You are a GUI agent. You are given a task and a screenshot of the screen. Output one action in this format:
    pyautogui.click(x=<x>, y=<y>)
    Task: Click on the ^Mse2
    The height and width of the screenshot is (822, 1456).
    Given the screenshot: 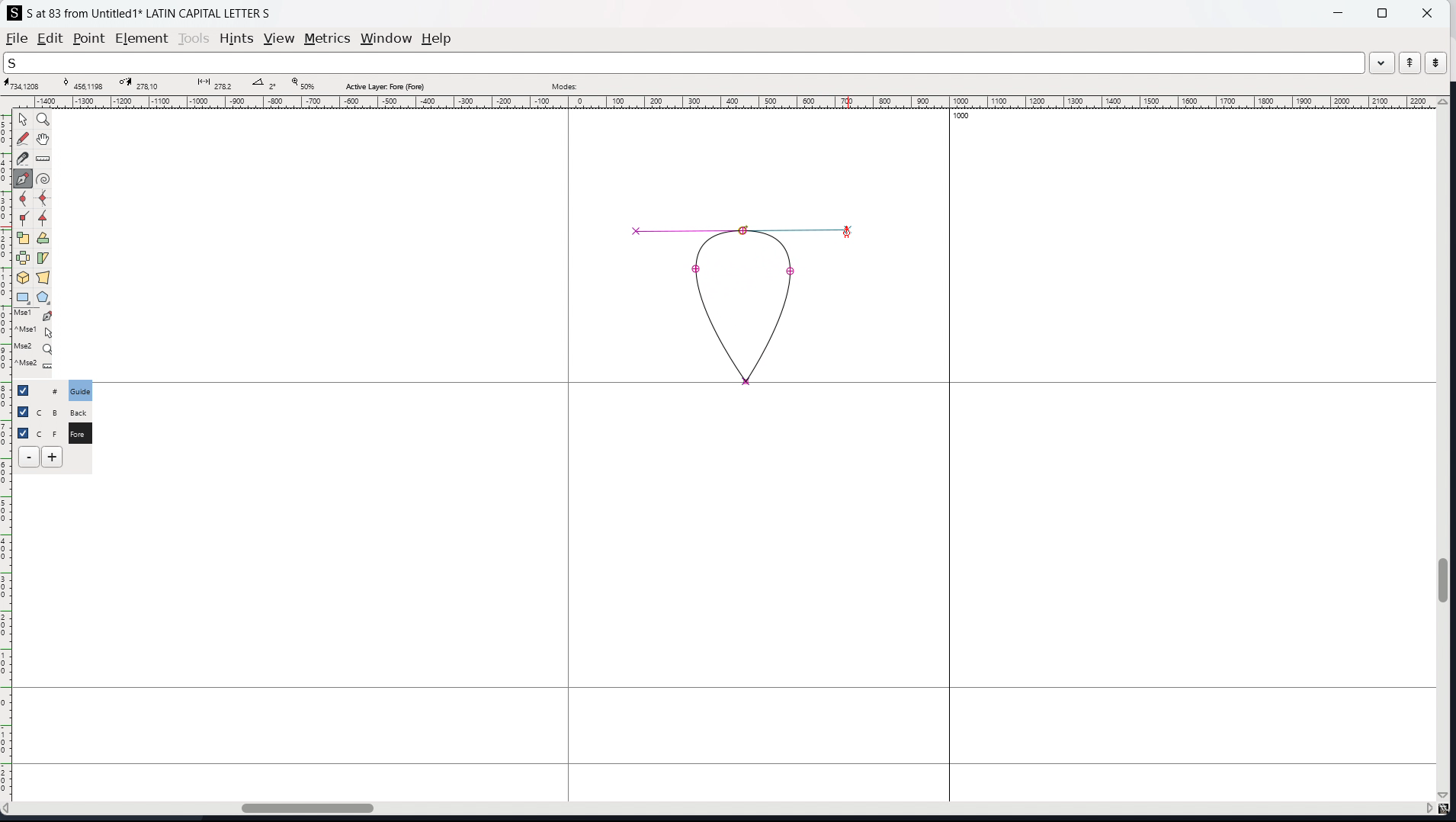 What is the action you would take?
    pyautogui.click(x=35, y=366)
    